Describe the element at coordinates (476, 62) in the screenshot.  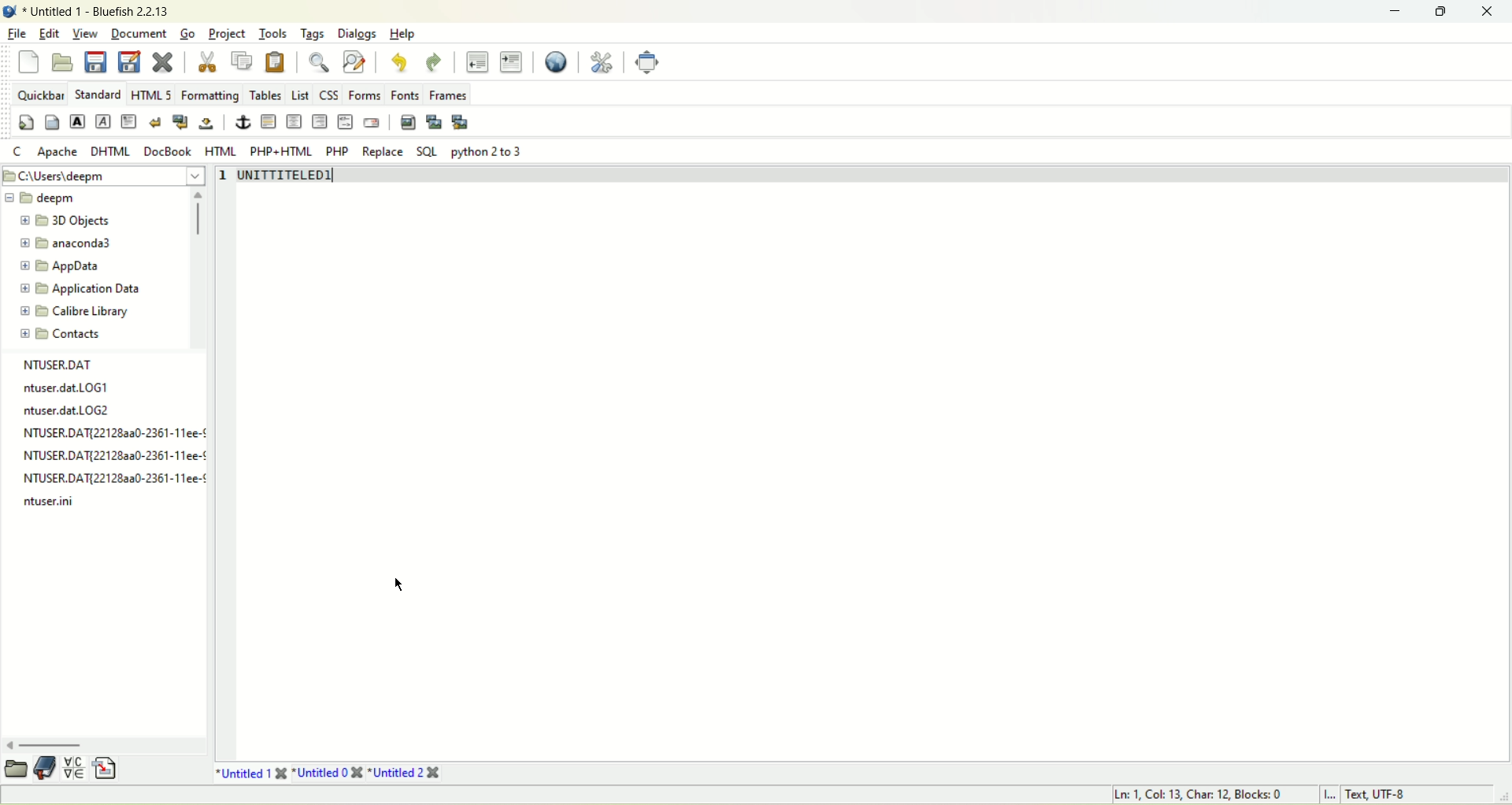
I see `unindent` at that location.